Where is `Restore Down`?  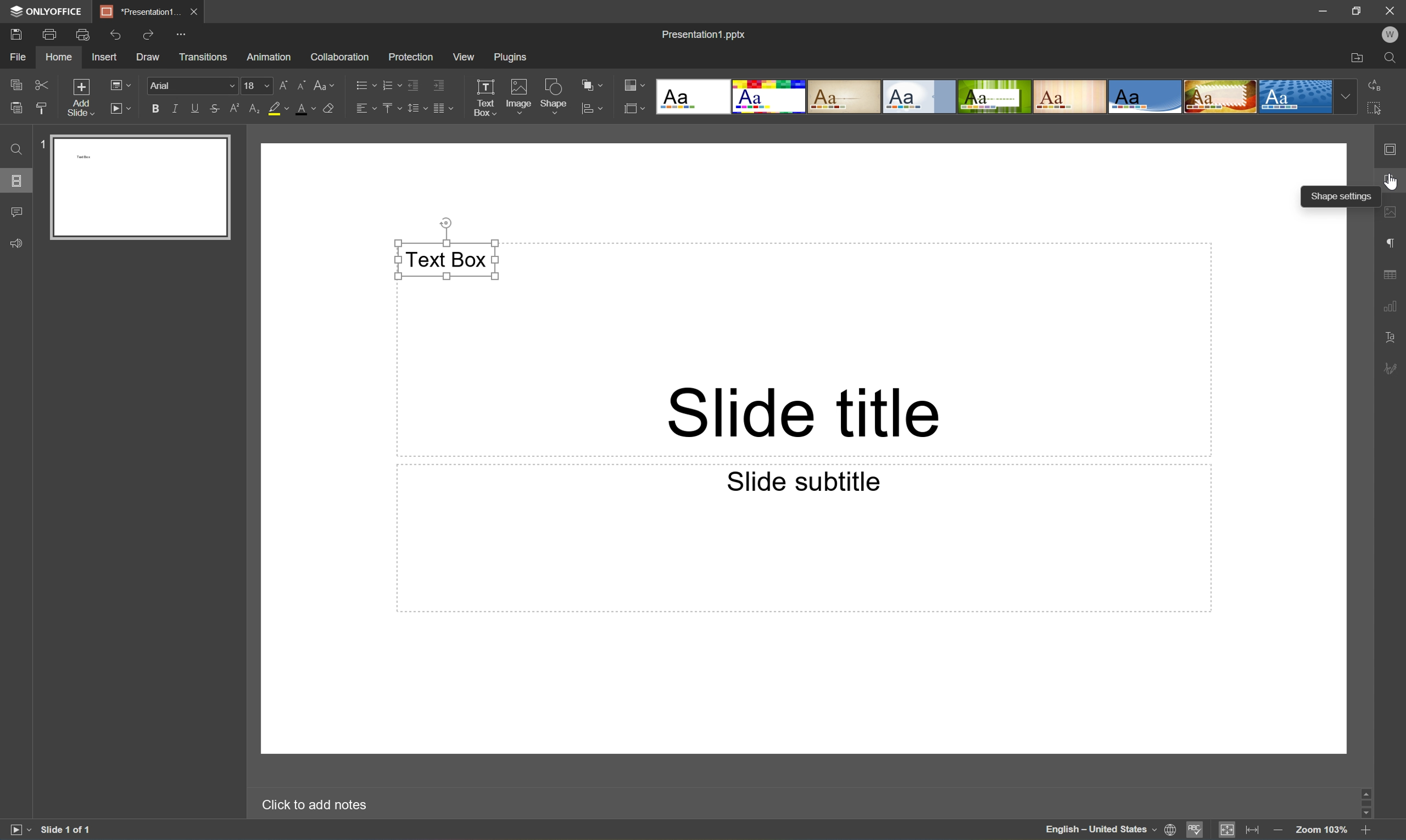 Restore Down is located at coordinates (1358, 8).